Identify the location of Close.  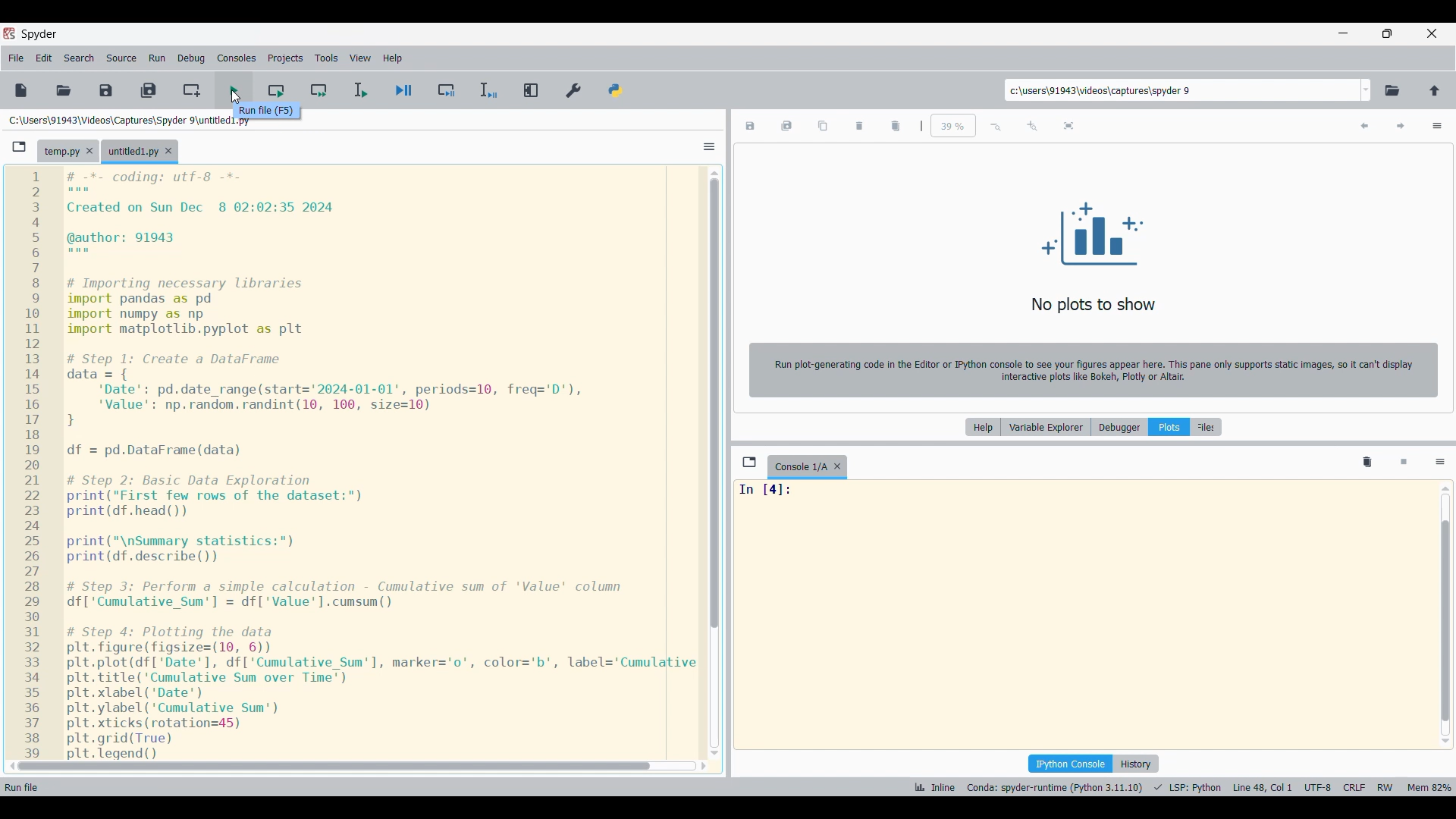
(838, 466).